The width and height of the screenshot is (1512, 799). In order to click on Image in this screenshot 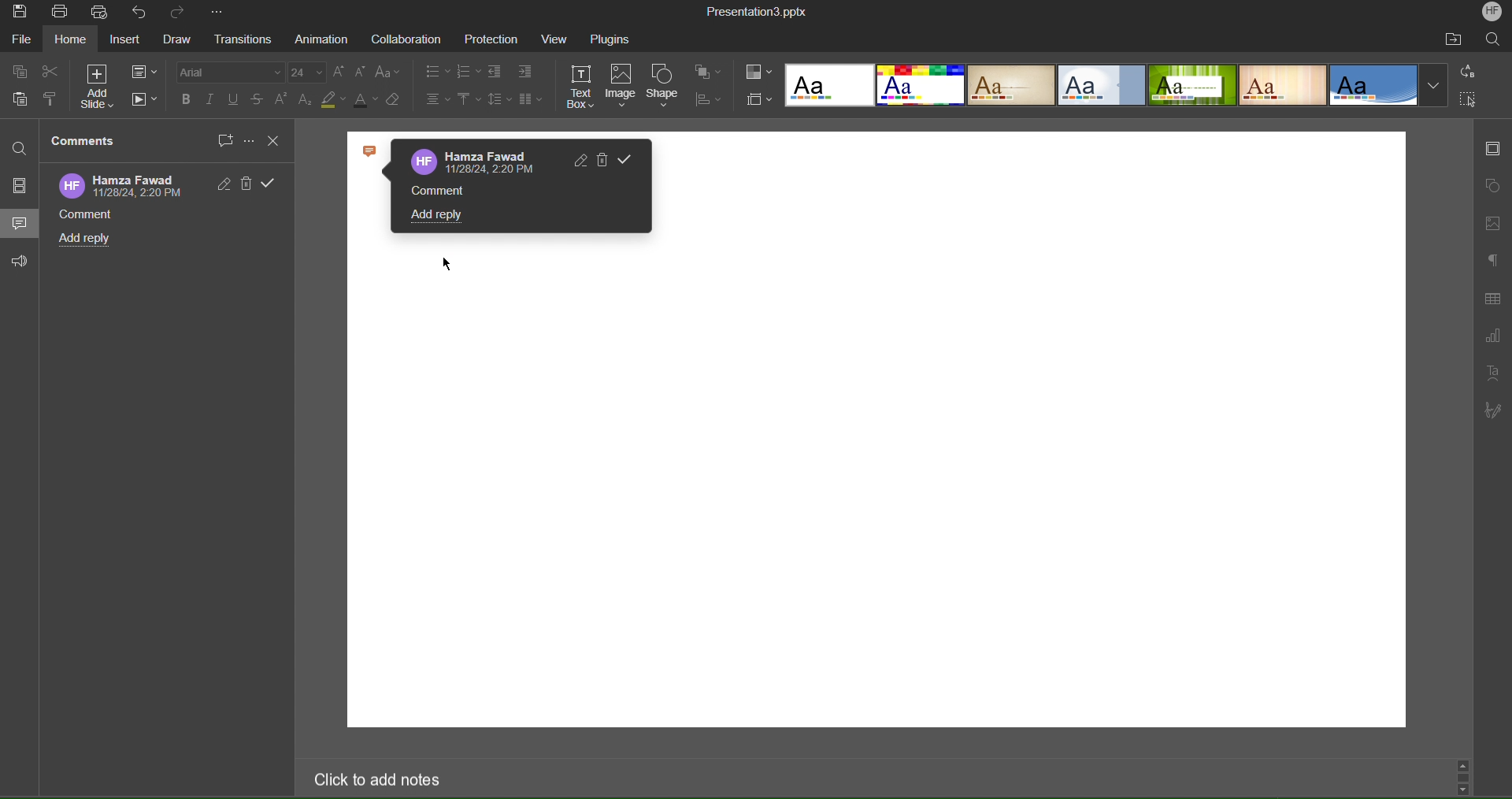, I will do `click(624, 86)`.